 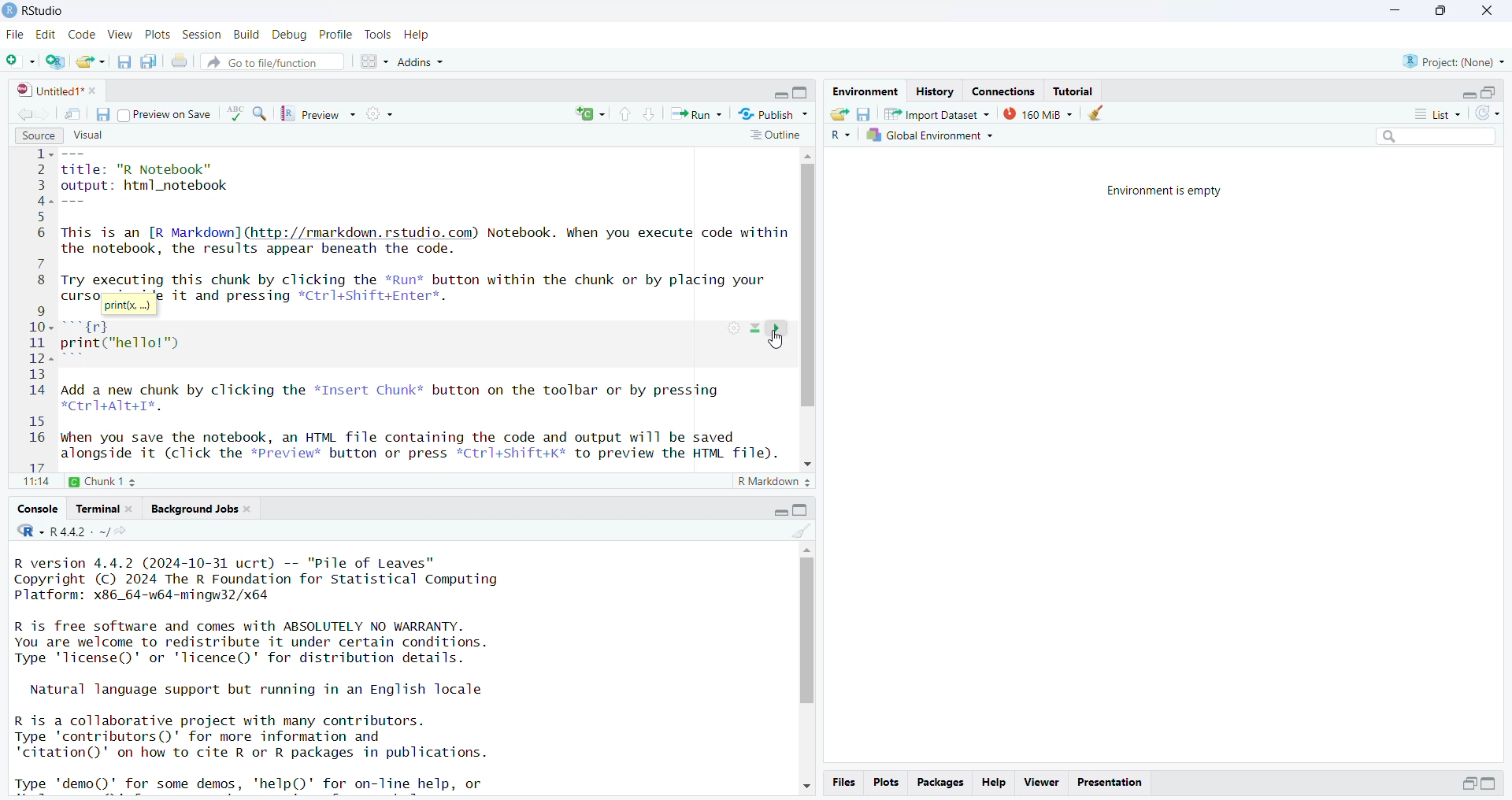 What do you see at coordinates (87, 134) in the screenshot?
I see `visual` at bounding box center [87, 134].